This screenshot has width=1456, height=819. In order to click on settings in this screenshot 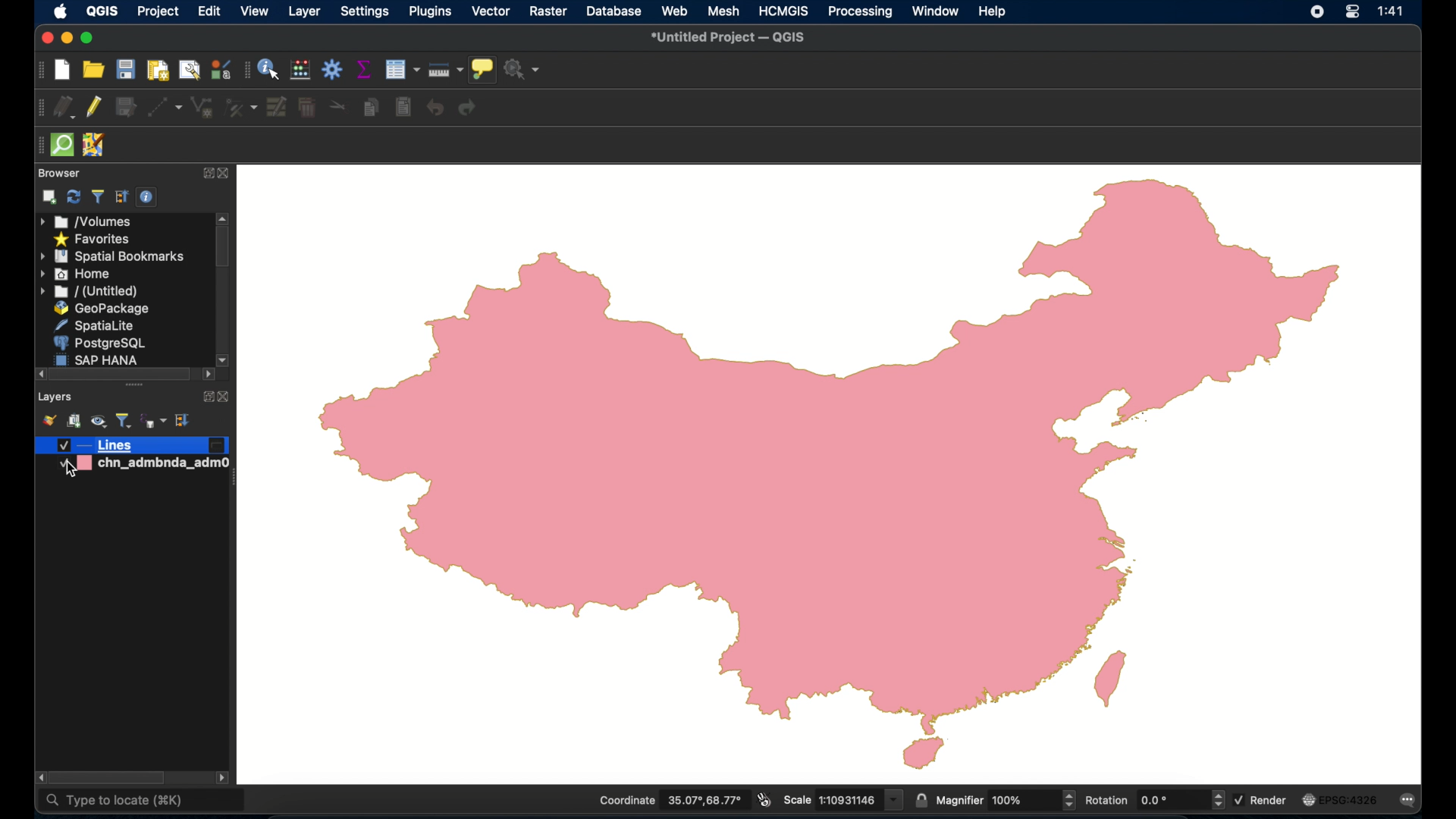, I will do `click(366, 13)`.